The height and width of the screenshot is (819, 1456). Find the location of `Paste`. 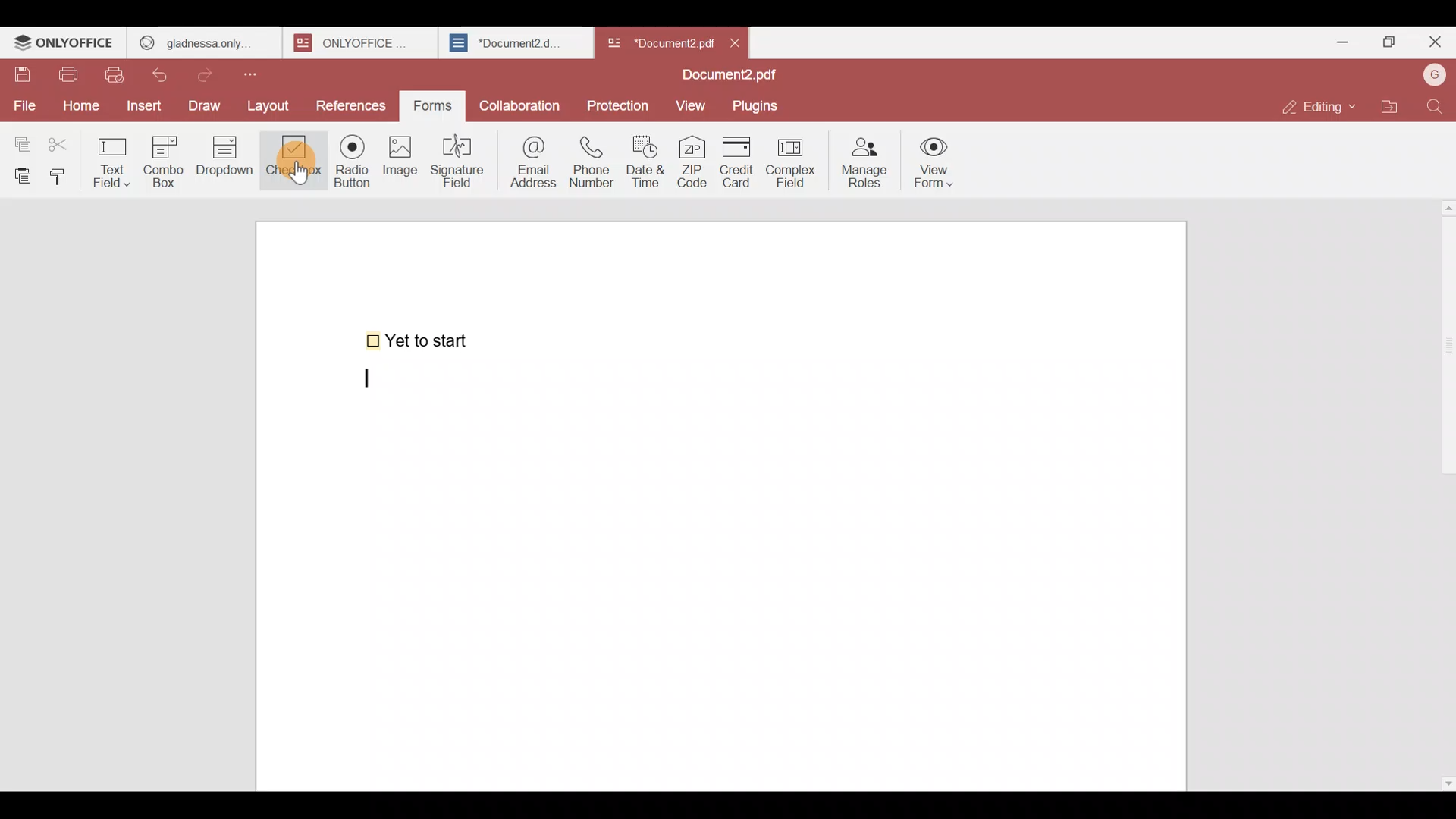

Paste is located at coordinates (20, 174).